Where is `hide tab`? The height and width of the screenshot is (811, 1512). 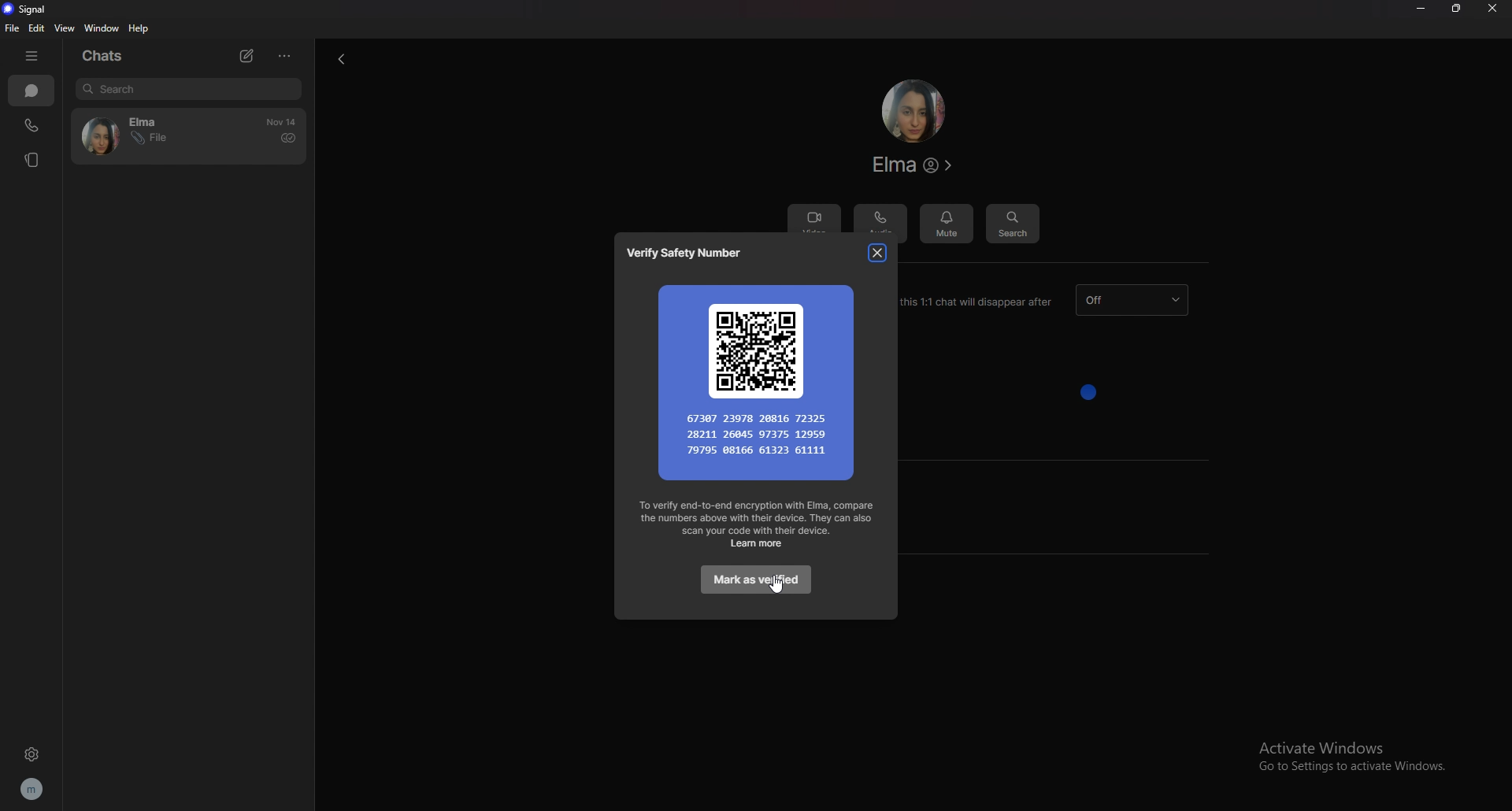 hide tab is located at coordinates (34, 56).